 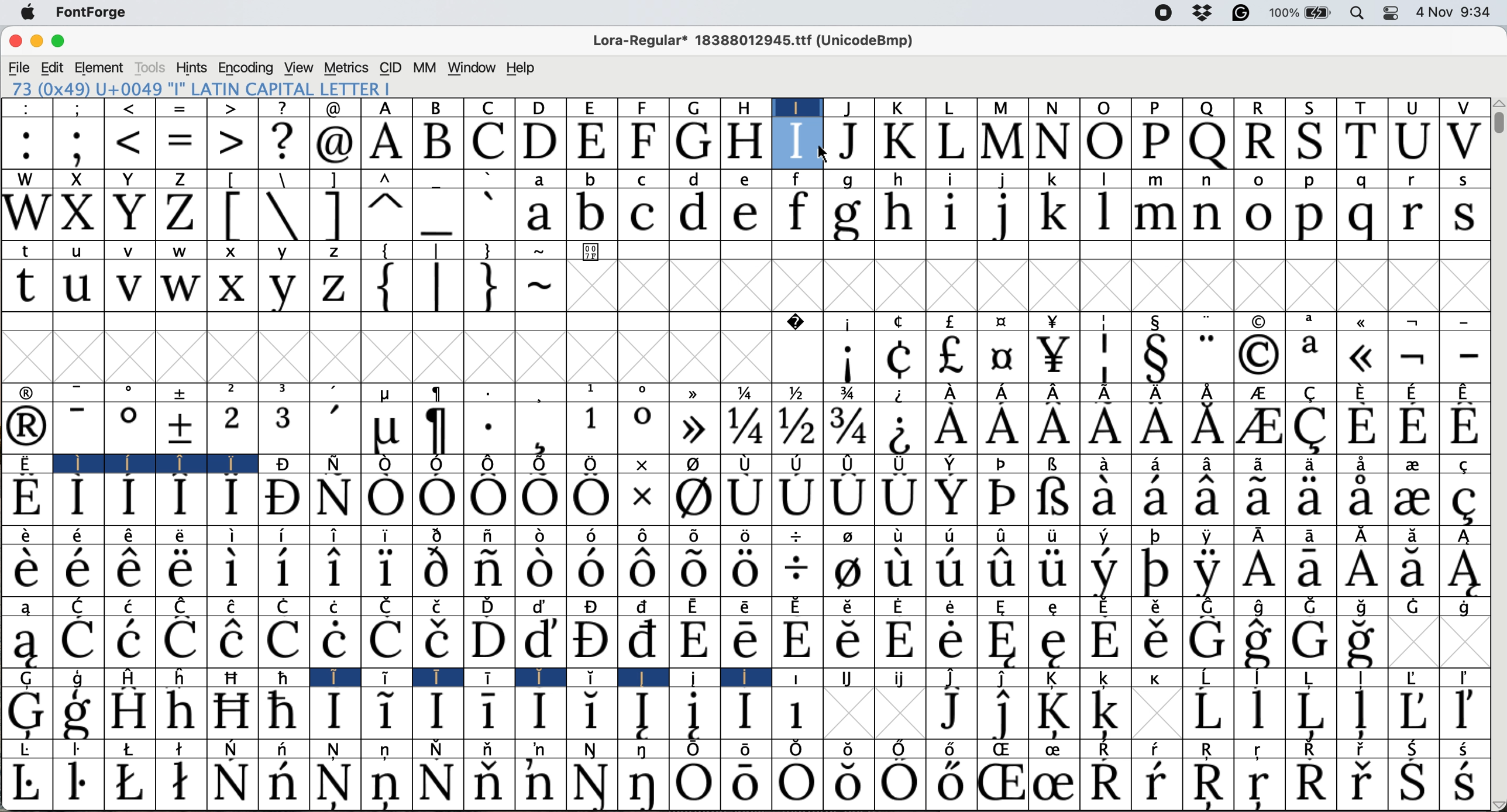 I want to click on Symbol, so click(x=184, y=605).